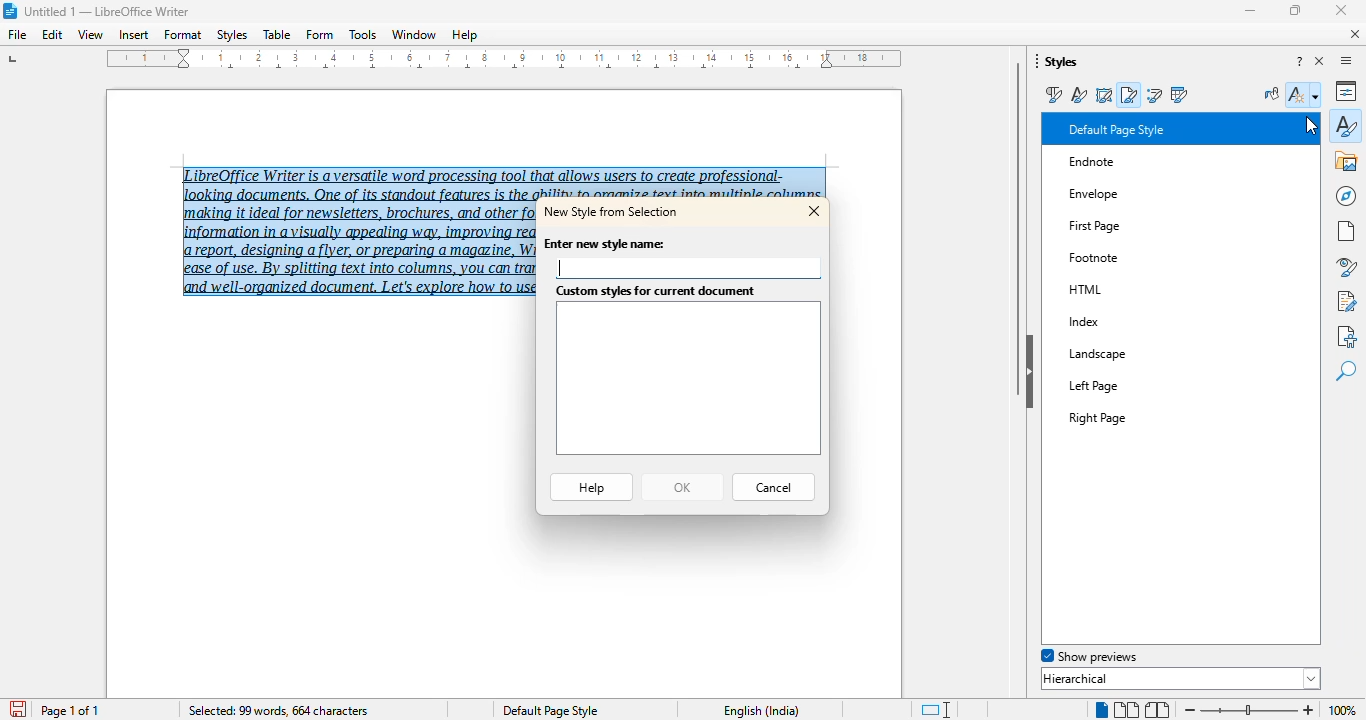 The height and width of the screenshot is (720, 1366). Describe the element at coordinates (110, 13) in the screenshot. I see `Untitled 1 -- LibreOffice Writer` at that location.